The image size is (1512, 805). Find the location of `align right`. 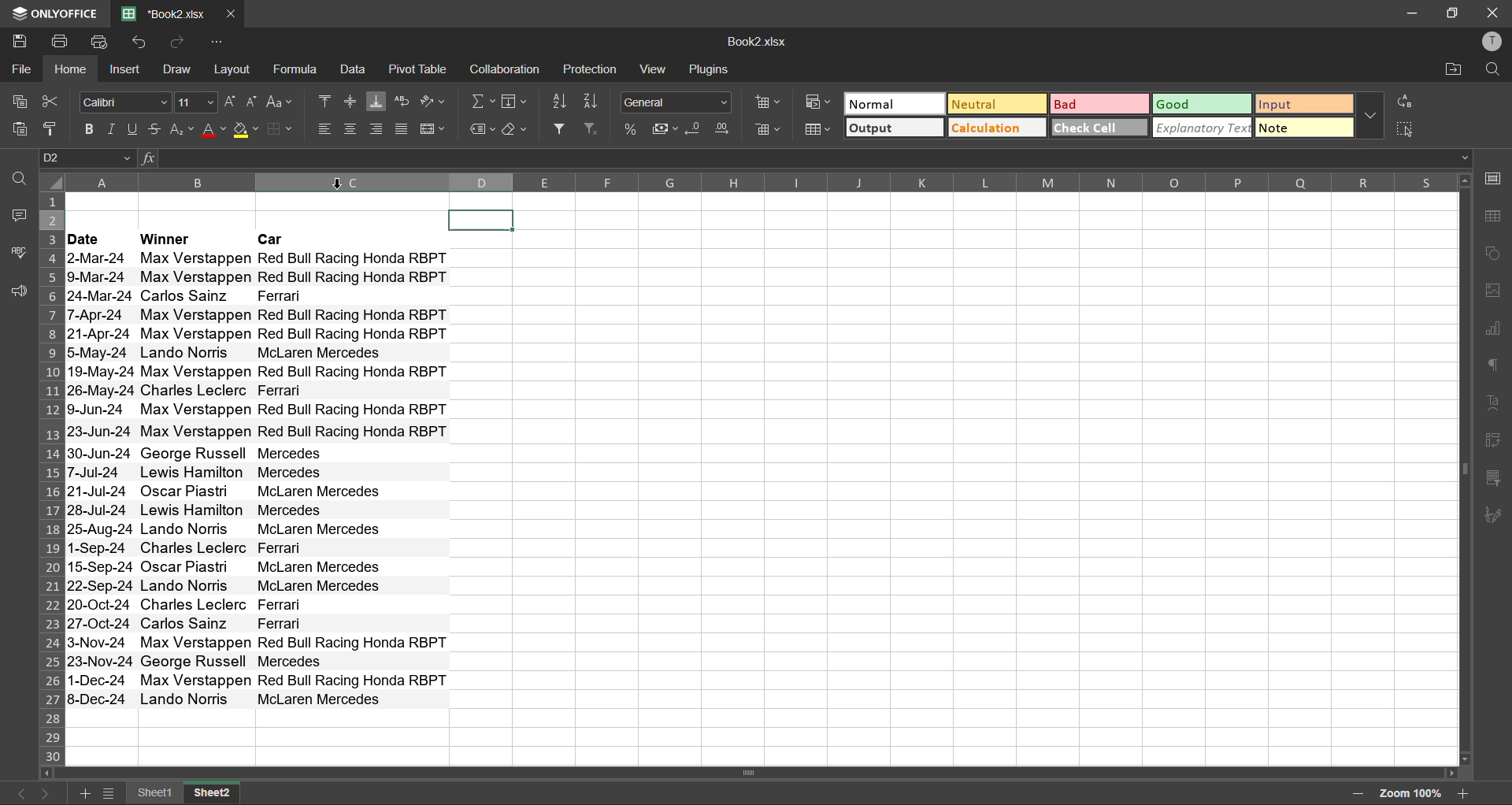

align right is located at coordinates (378, 131).